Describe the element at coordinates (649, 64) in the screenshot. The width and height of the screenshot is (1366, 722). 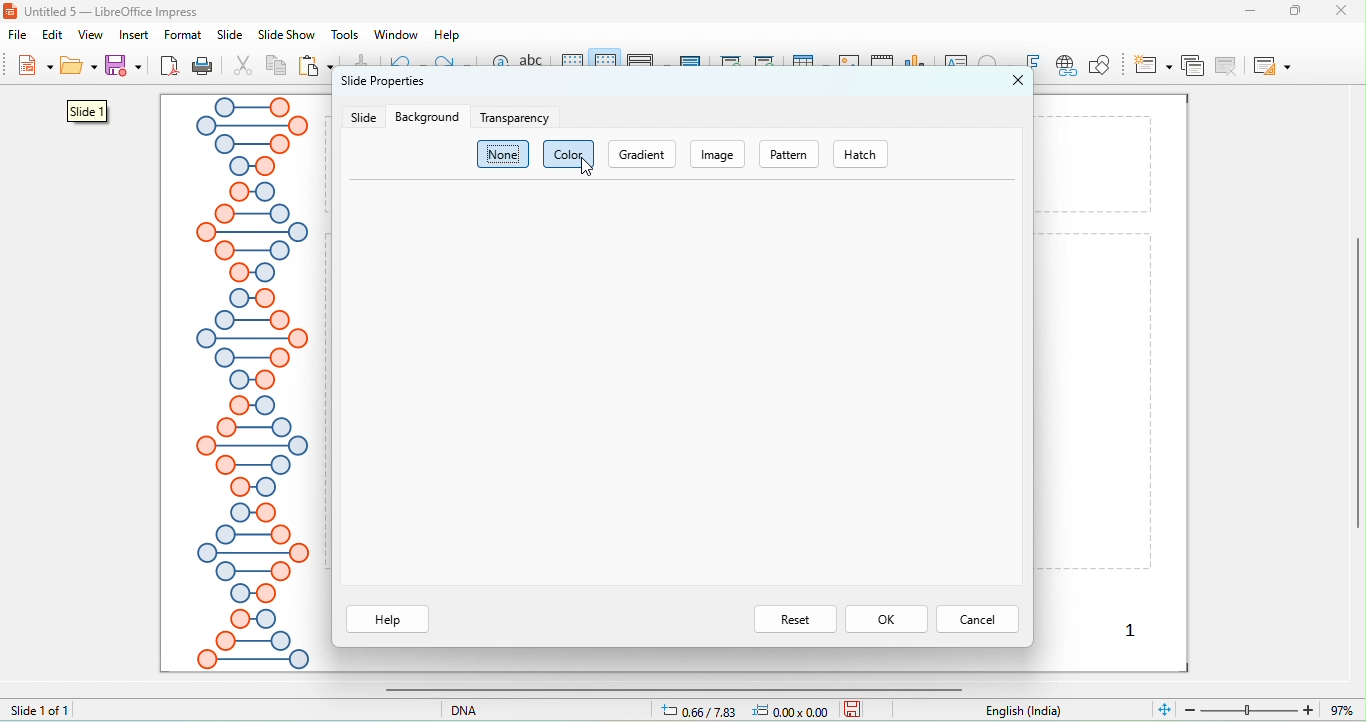
I see `display views` at that location.